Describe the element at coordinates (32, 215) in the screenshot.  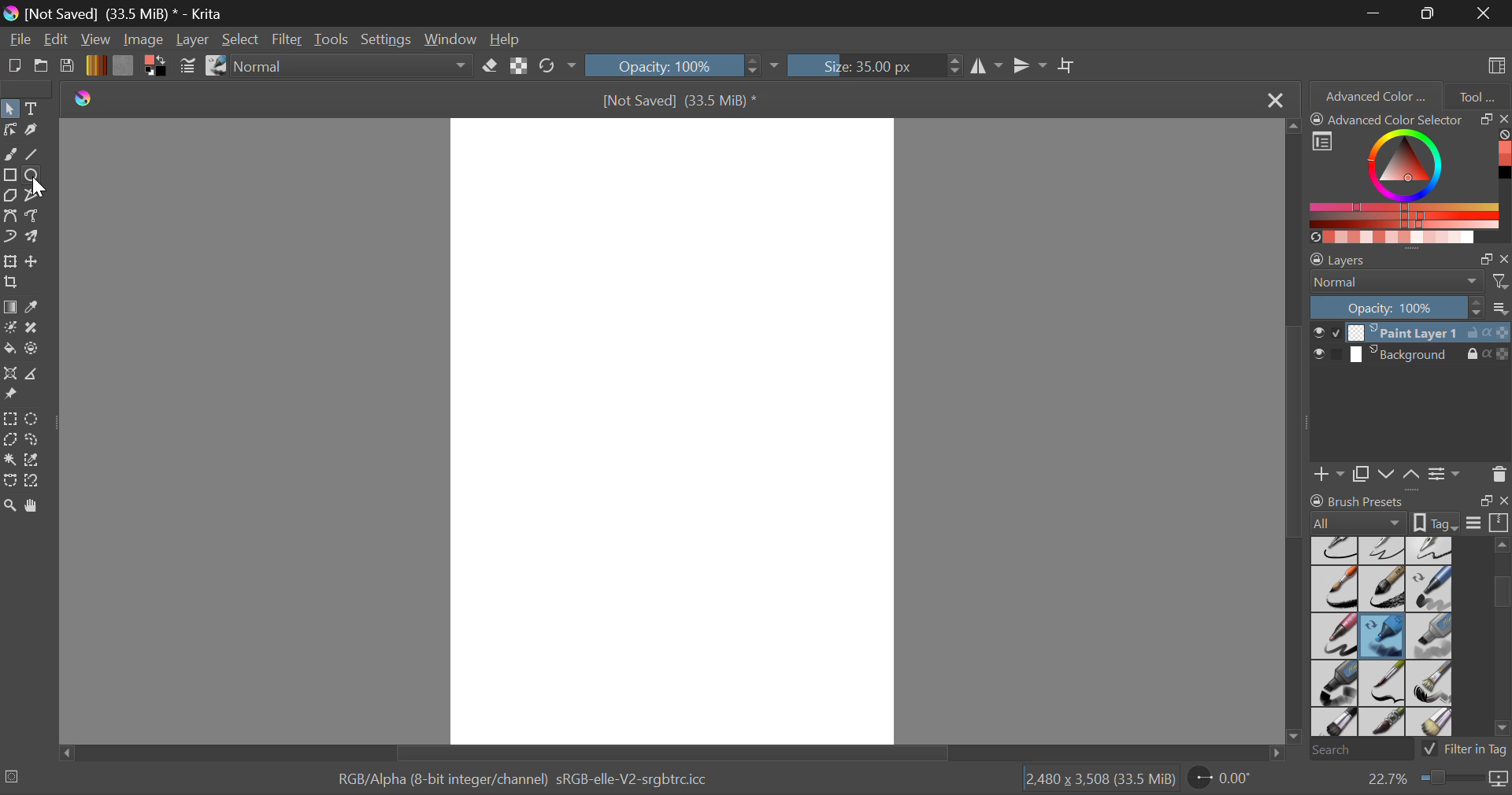
I see `Freehand Path Tool` at that location.